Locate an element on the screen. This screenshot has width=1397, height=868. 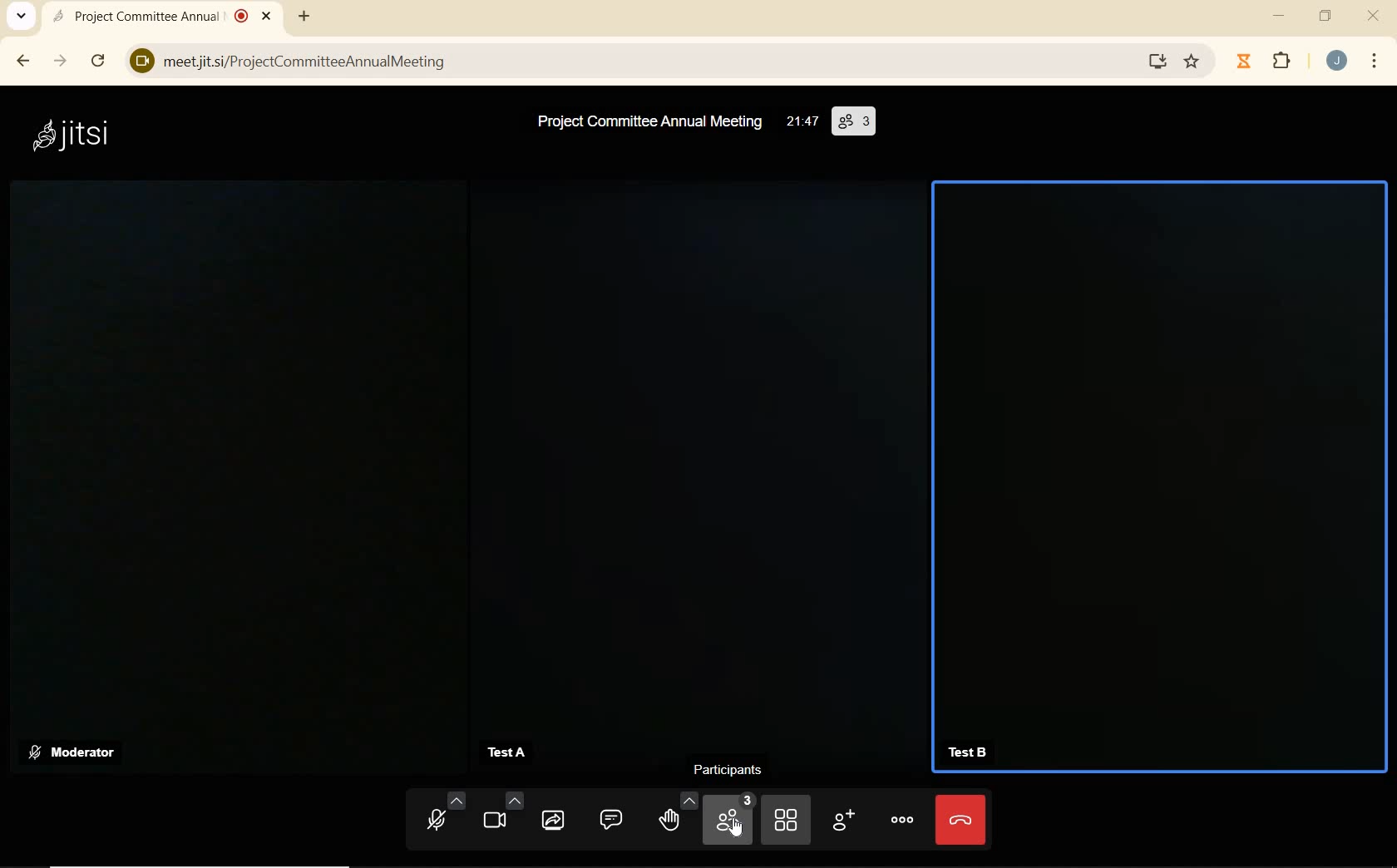
RAISE YOUR HANDS is located at coordinates (674, 816).